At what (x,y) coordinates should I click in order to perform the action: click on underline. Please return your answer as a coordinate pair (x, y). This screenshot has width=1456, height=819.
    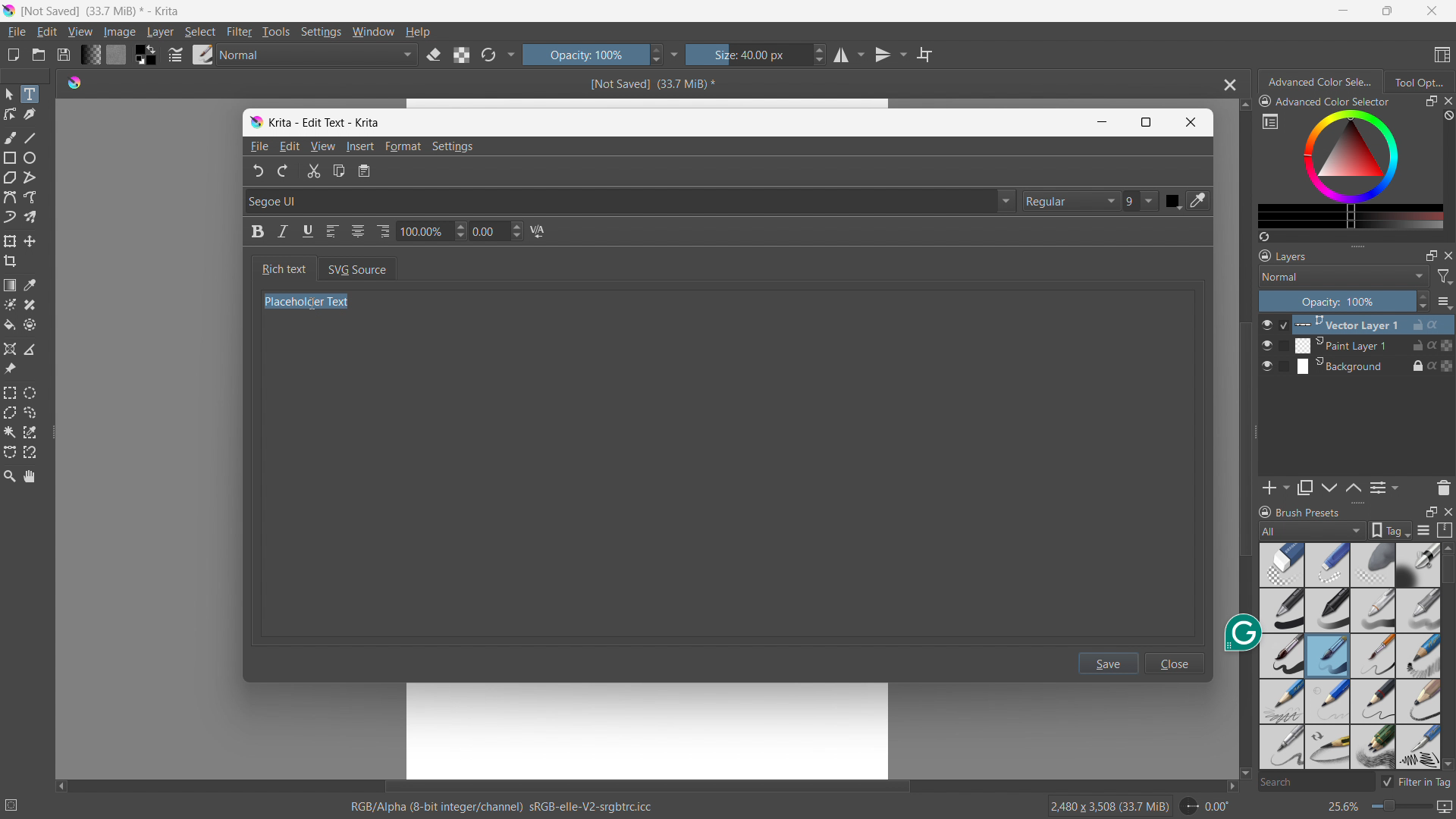
    Looking at the image, I should click on (307, 231).